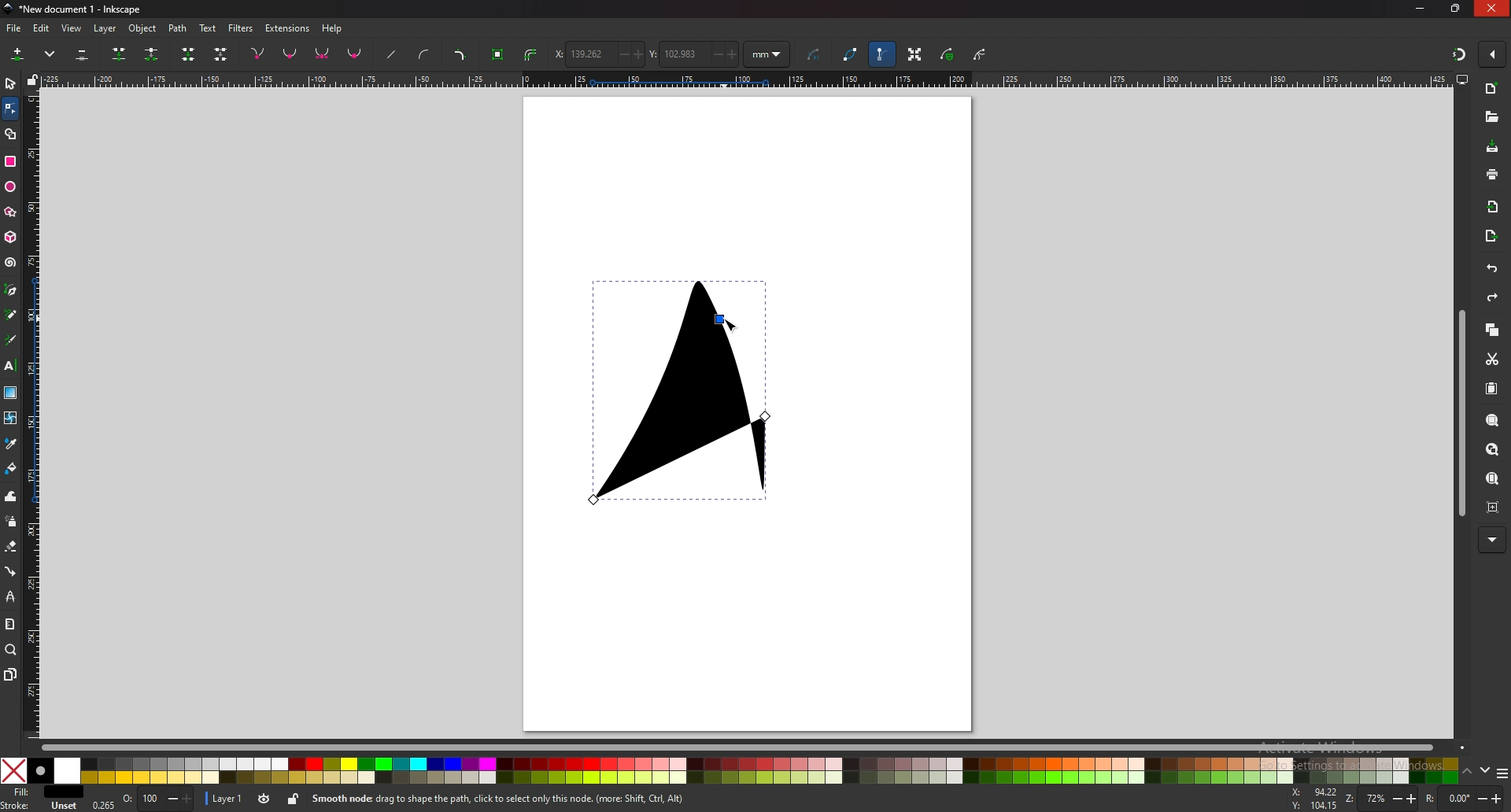 The image size is (1511, 812). I want to click on add curve handles, so click(425, 56).